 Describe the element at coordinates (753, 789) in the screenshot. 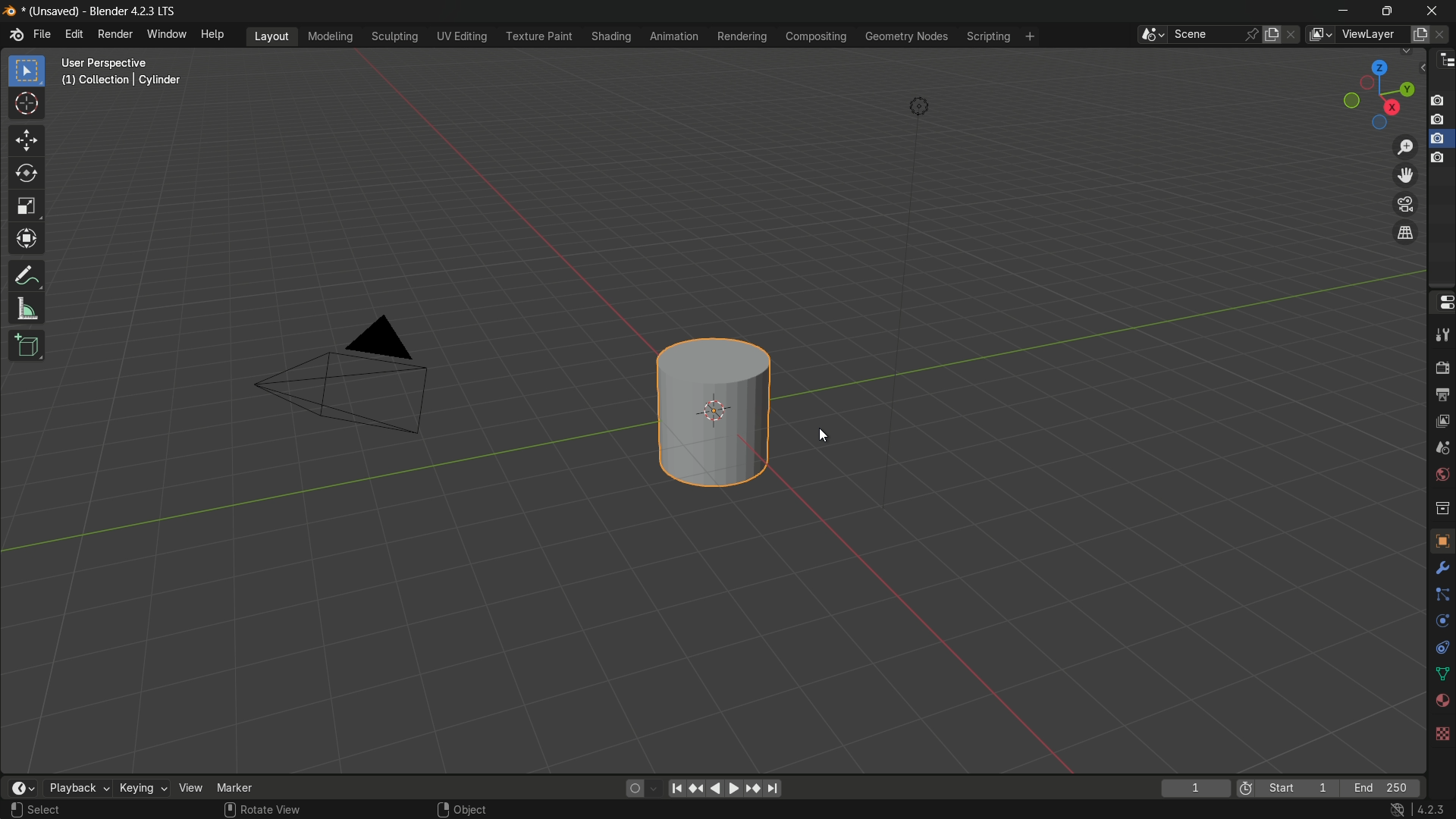

I see `jump to keyframe` at that location.